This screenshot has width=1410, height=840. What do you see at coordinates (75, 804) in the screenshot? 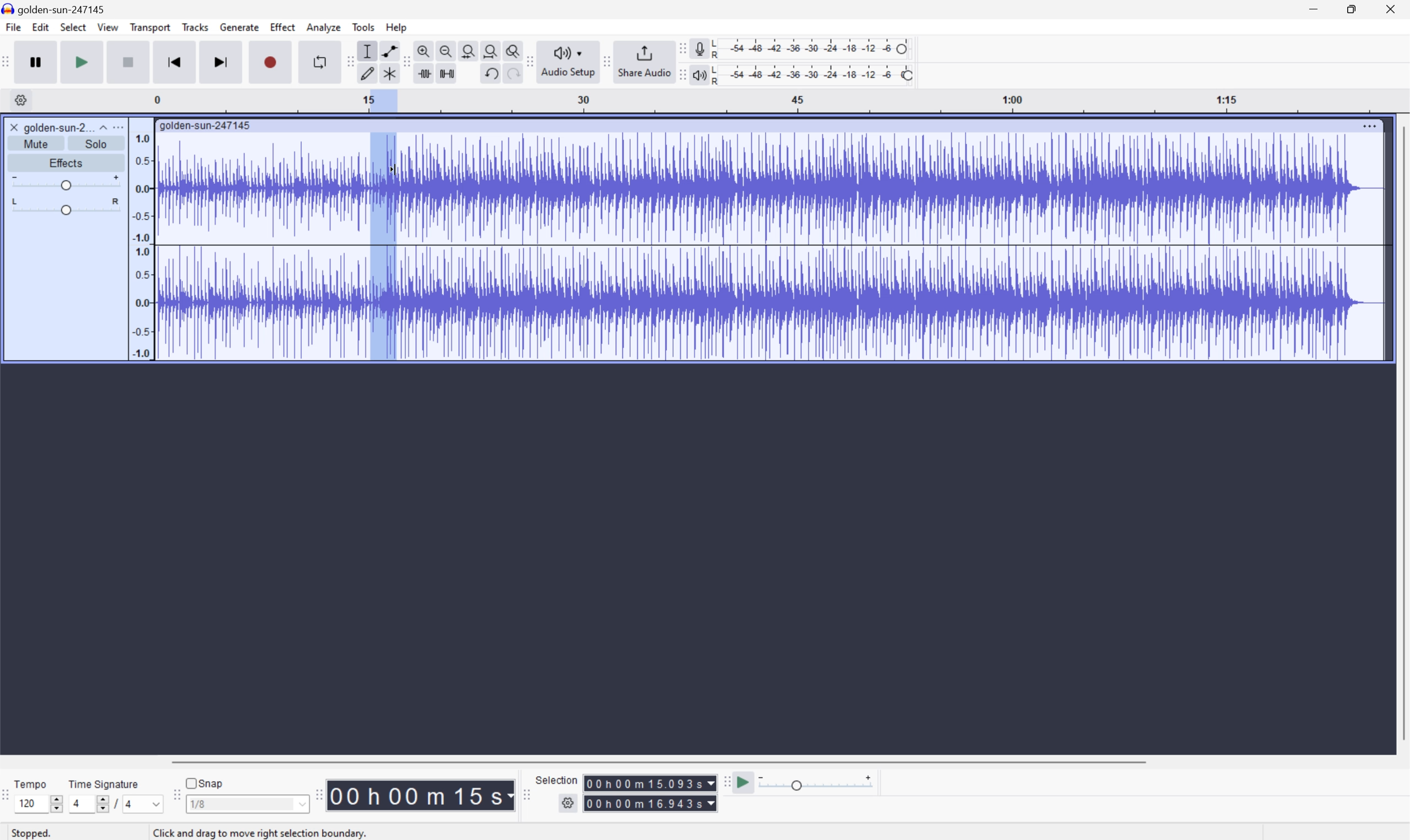
I see `4` at bounding box center [75, 804].